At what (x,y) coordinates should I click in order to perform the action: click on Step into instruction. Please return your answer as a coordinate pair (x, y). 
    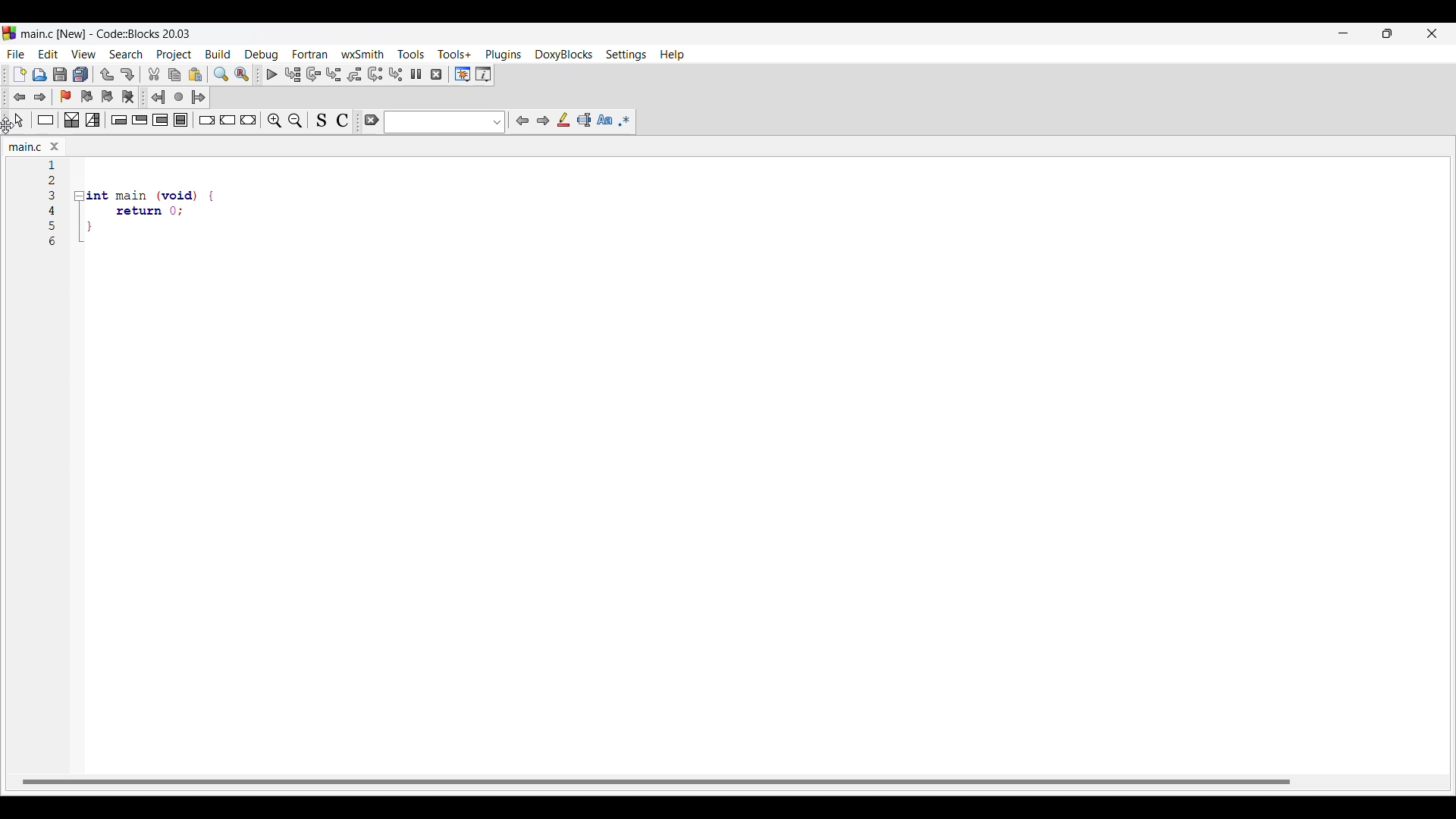
    Looking at the image, I should click on (396, 74).